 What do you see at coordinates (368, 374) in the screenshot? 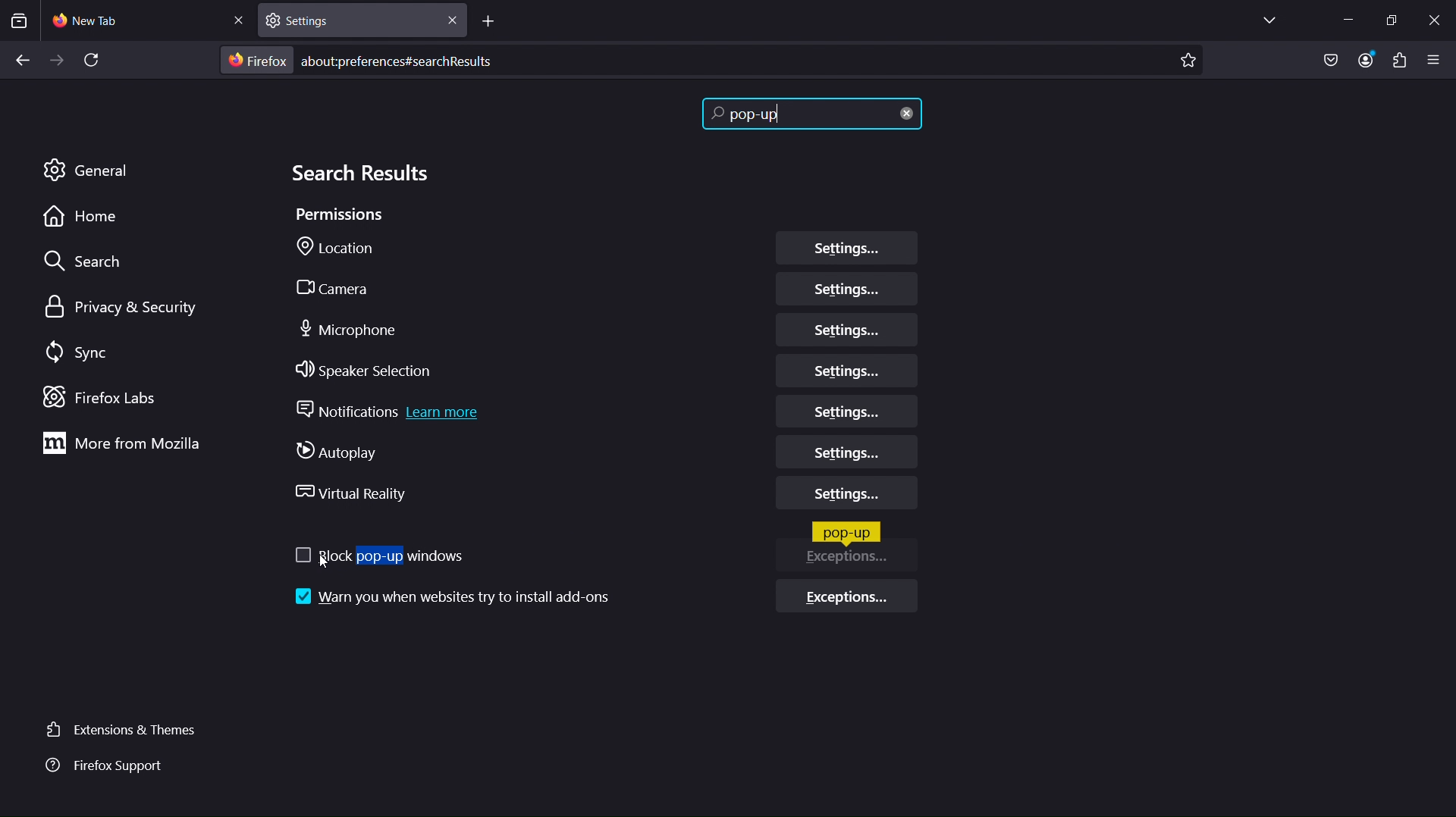
I see `Speaker Selection` at bounding box center [368, 374].